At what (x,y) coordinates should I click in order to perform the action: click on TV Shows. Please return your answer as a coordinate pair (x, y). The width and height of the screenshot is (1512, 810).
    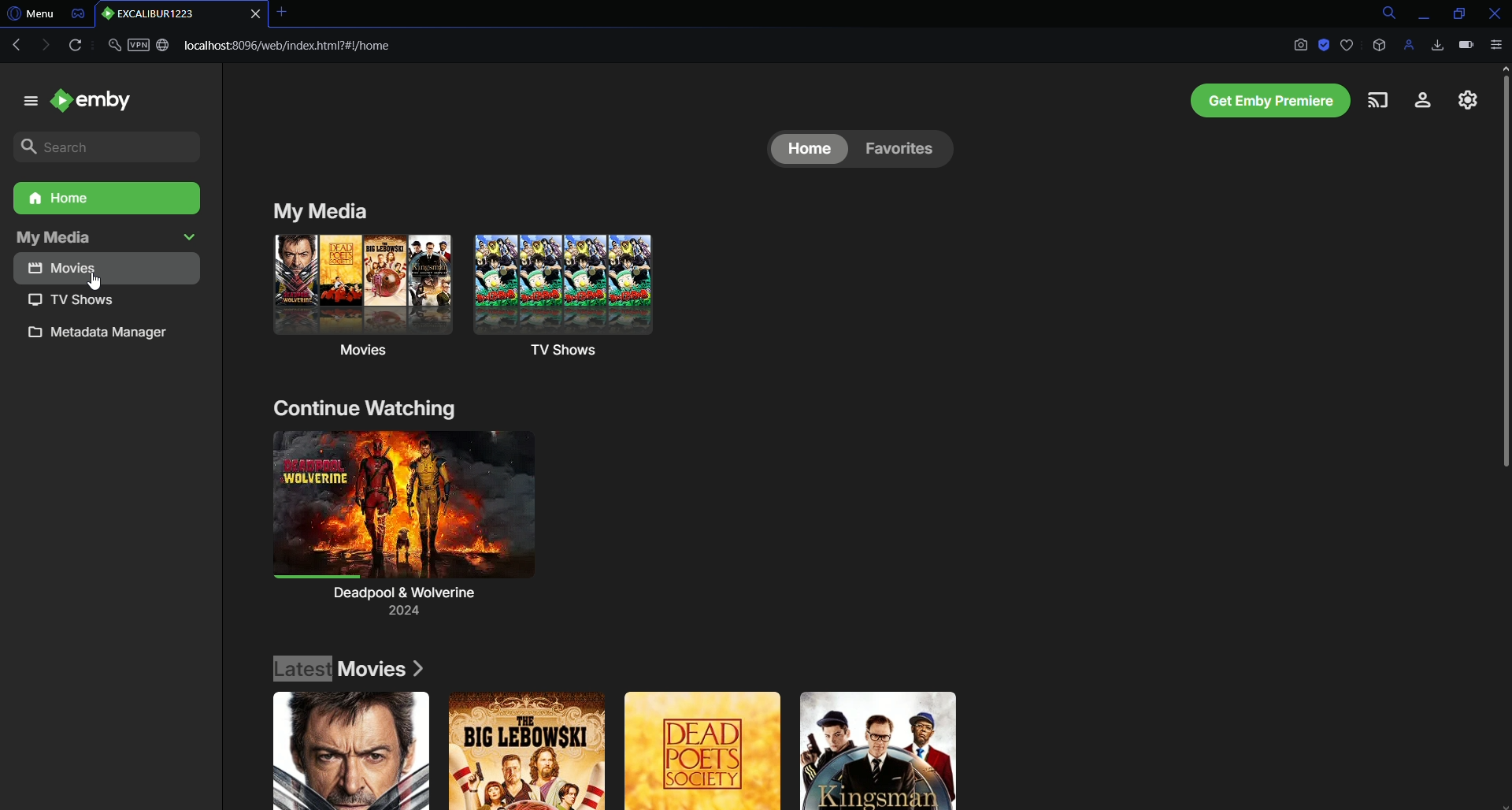
    Looking at the image, I should click on (576, 302).